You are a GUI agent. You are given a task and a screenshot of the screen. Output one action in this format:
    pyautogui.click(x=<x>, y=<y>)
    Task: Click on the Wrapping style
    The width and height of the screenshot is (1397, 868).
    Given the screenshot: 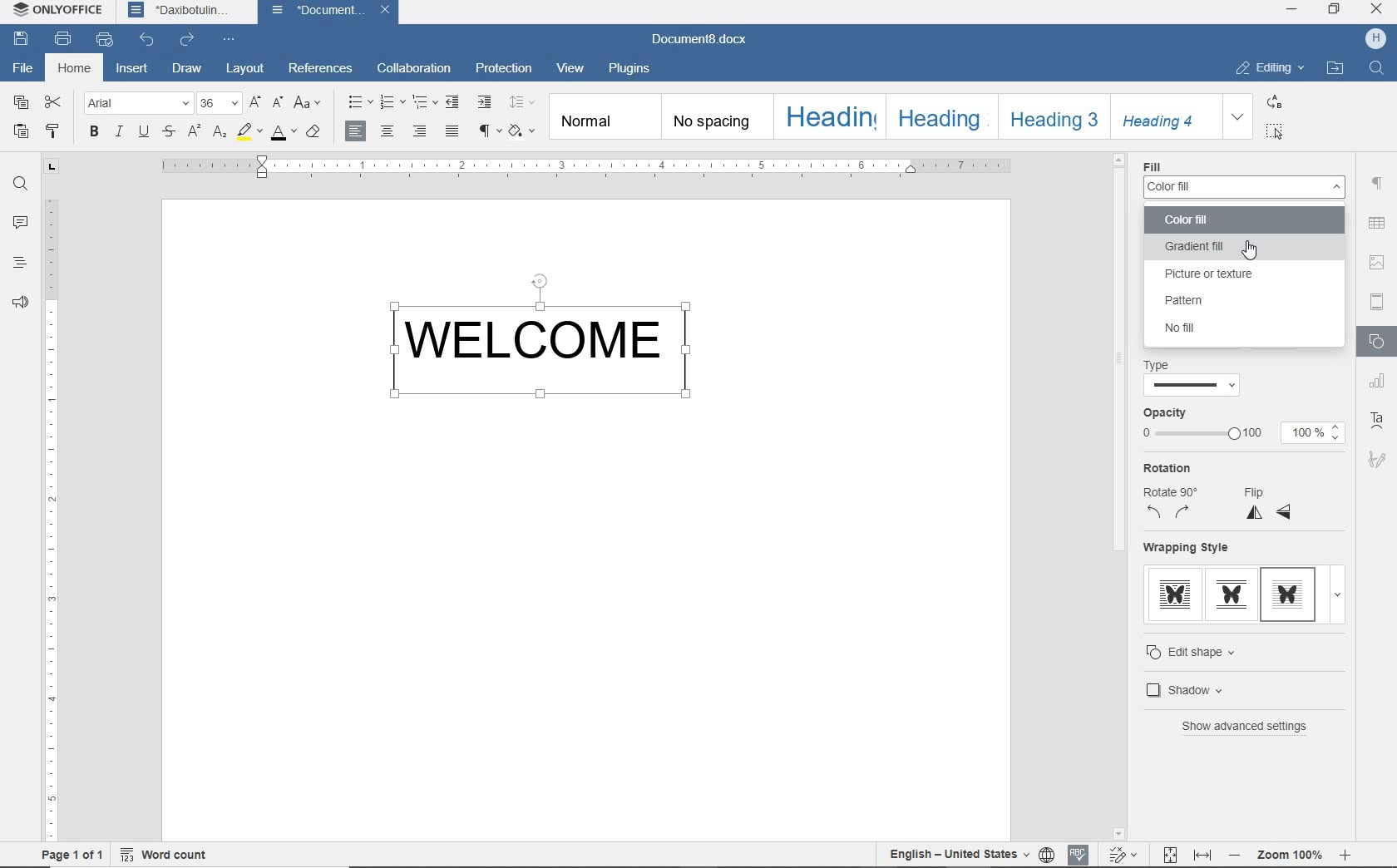 What is the action you would take?
    pyautogui.click(x=1187, y=547)
    